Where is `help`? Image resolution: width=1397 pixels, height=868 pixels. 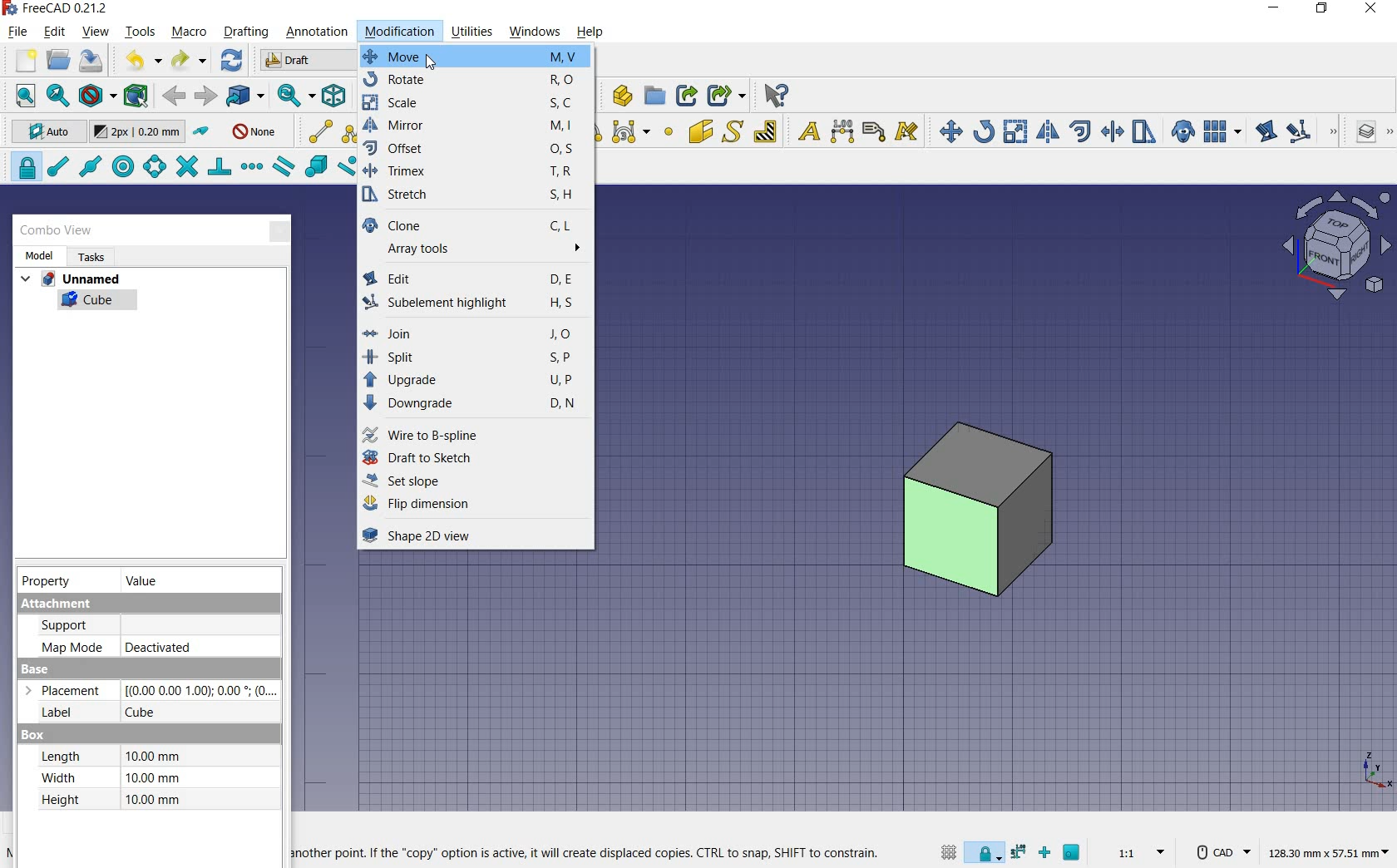 help is located at coordinates (590, 32).